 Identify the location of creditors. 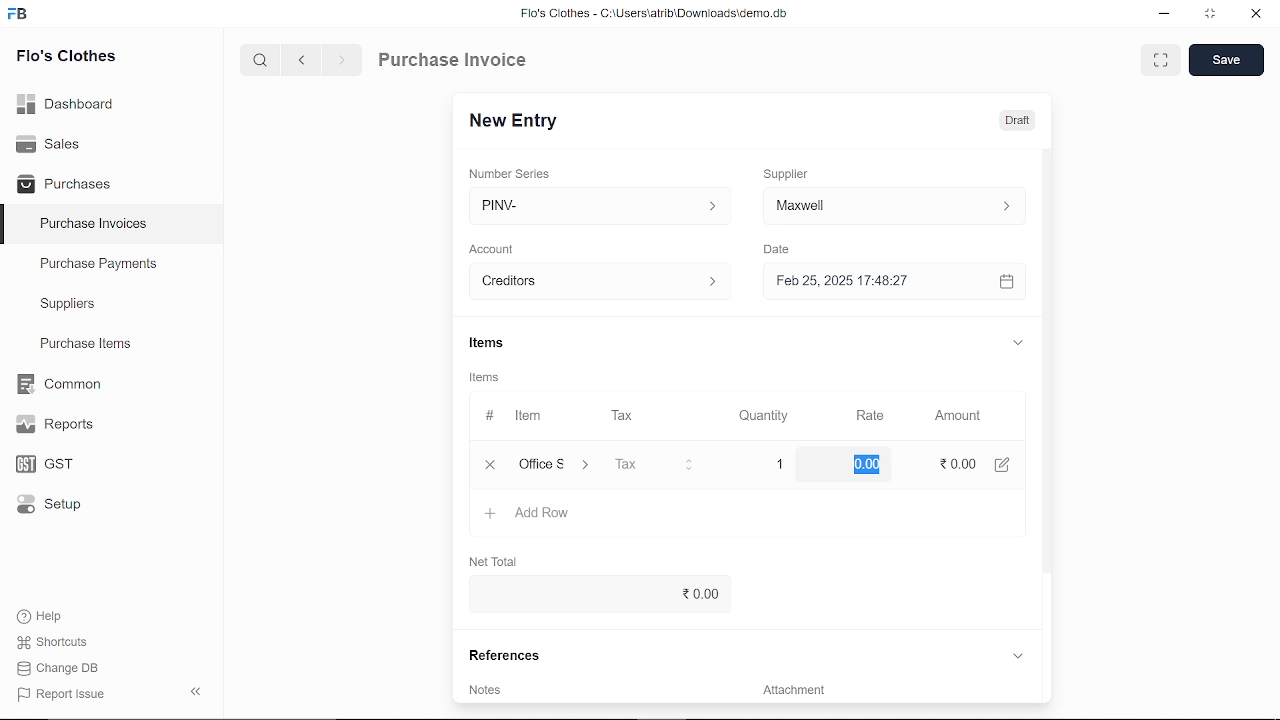
(596, 280).